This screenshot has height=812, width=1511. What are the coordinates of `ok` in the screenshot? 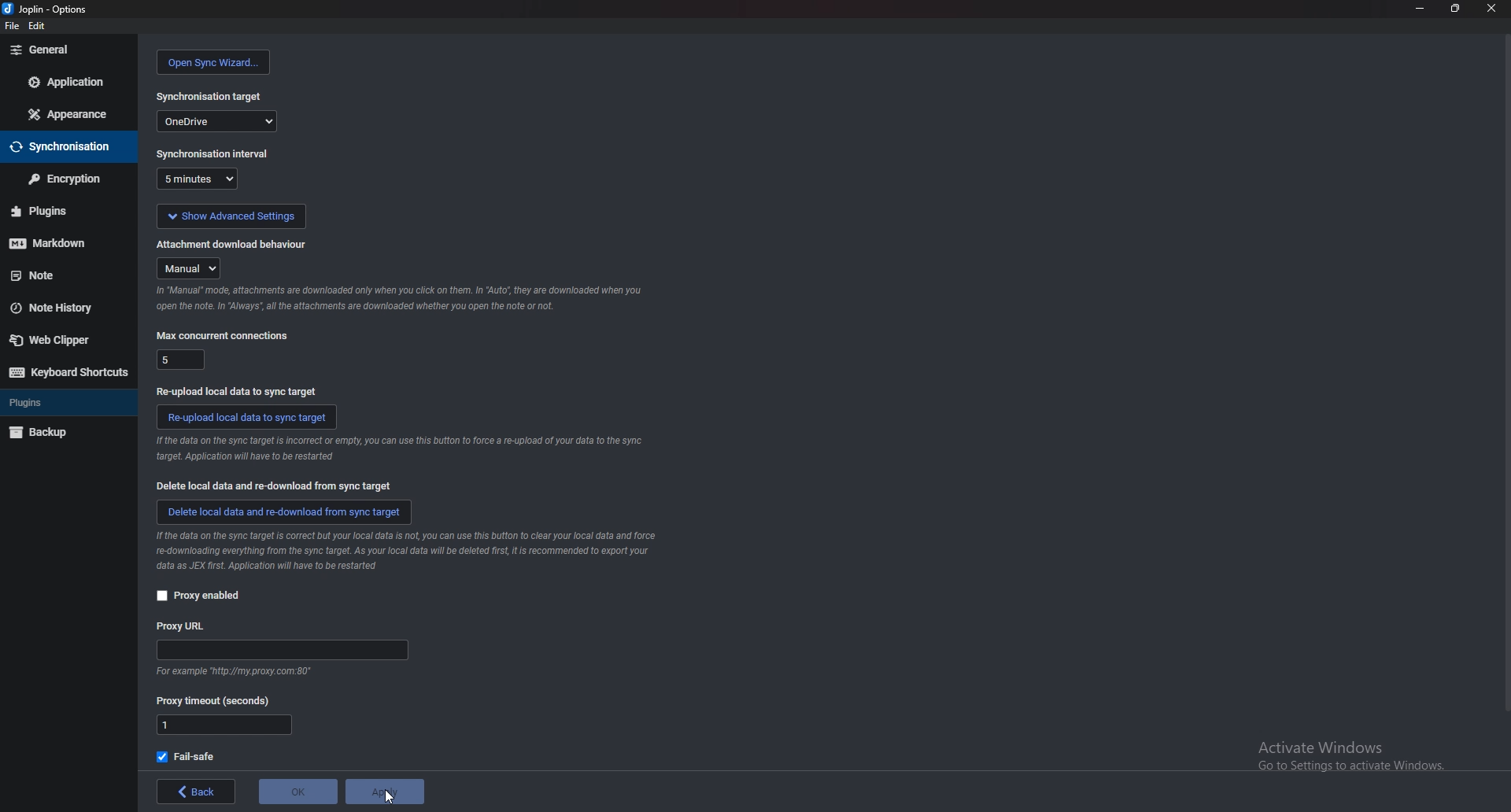 It's located at (299, 788).